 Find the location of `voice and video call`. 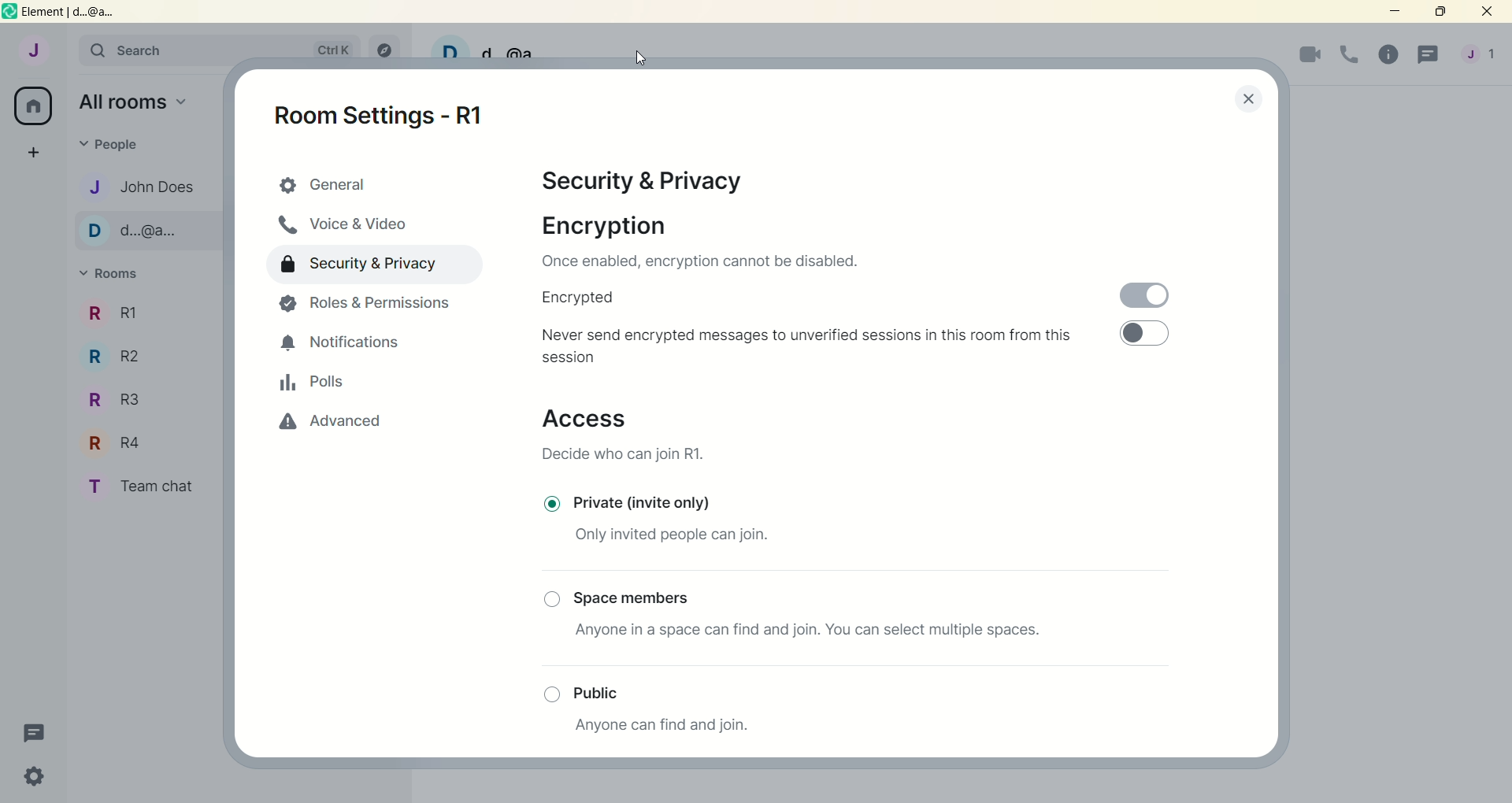

voice and video call is located at coordinates (342, 227).